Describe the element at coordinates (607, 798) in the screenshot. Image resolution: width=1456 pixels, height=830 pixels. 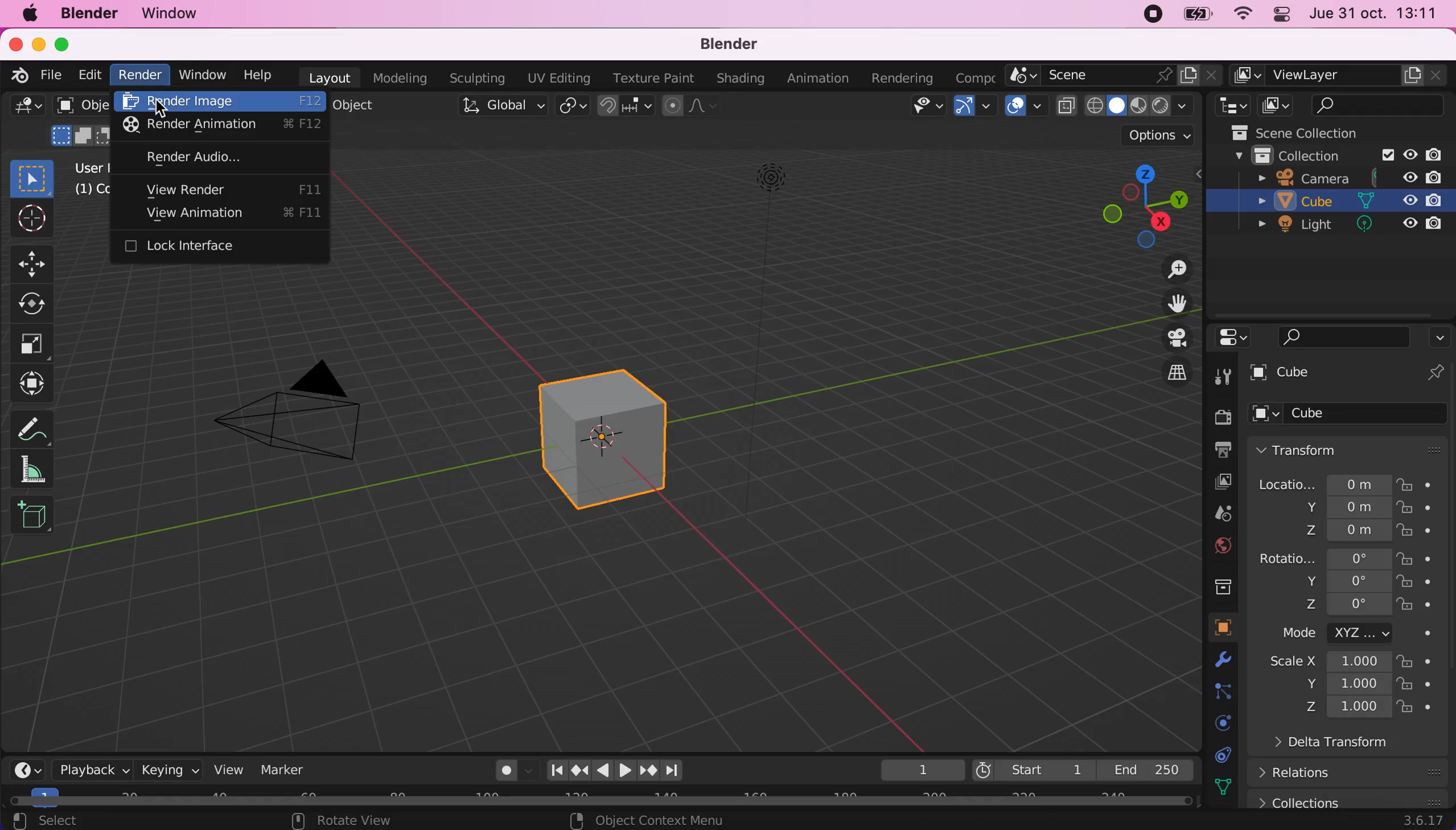
I see `horizontal scroll bar` at that location.